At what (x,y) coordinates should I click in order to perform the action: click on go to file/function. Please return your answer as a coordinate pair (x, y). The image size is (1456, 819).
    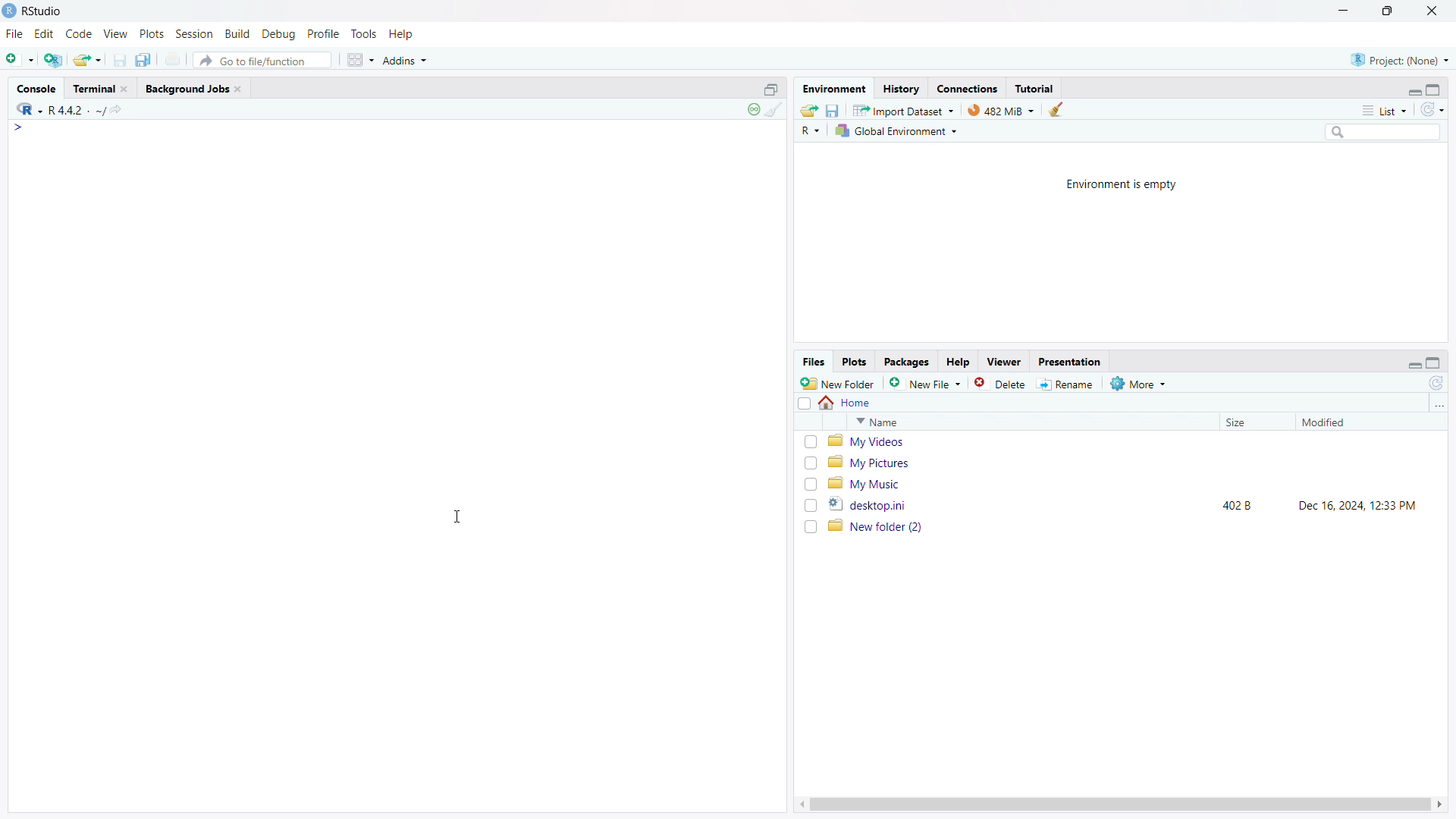
    Looking at the image, I should click on (262, 60).